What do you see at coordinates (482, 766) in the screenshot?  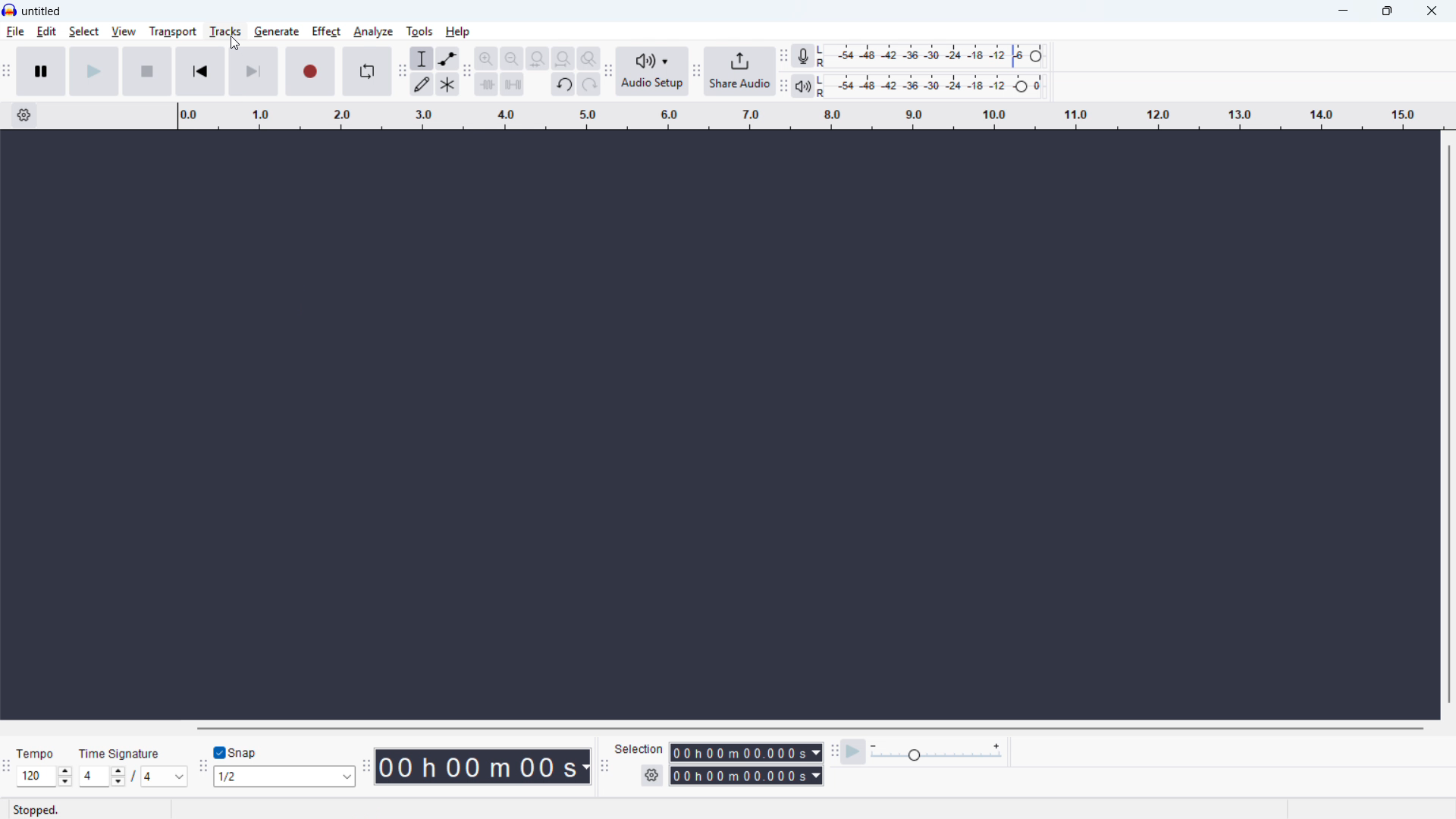 I see `Timestamp ` at bounding box center [482, 766].